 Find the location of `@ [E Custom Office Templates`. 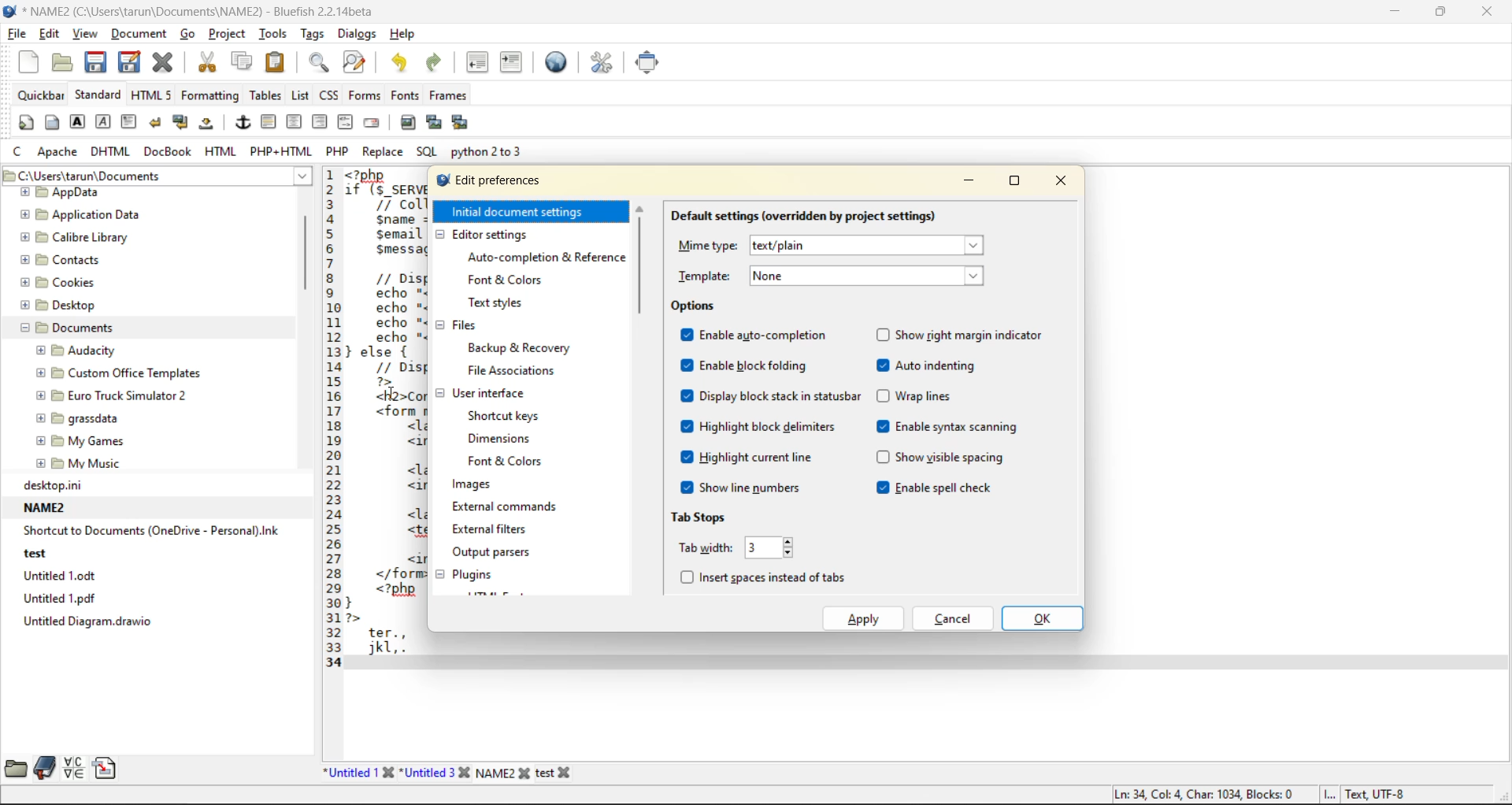

@ [E Custom Office Templates is located at coordinates (118, 372).